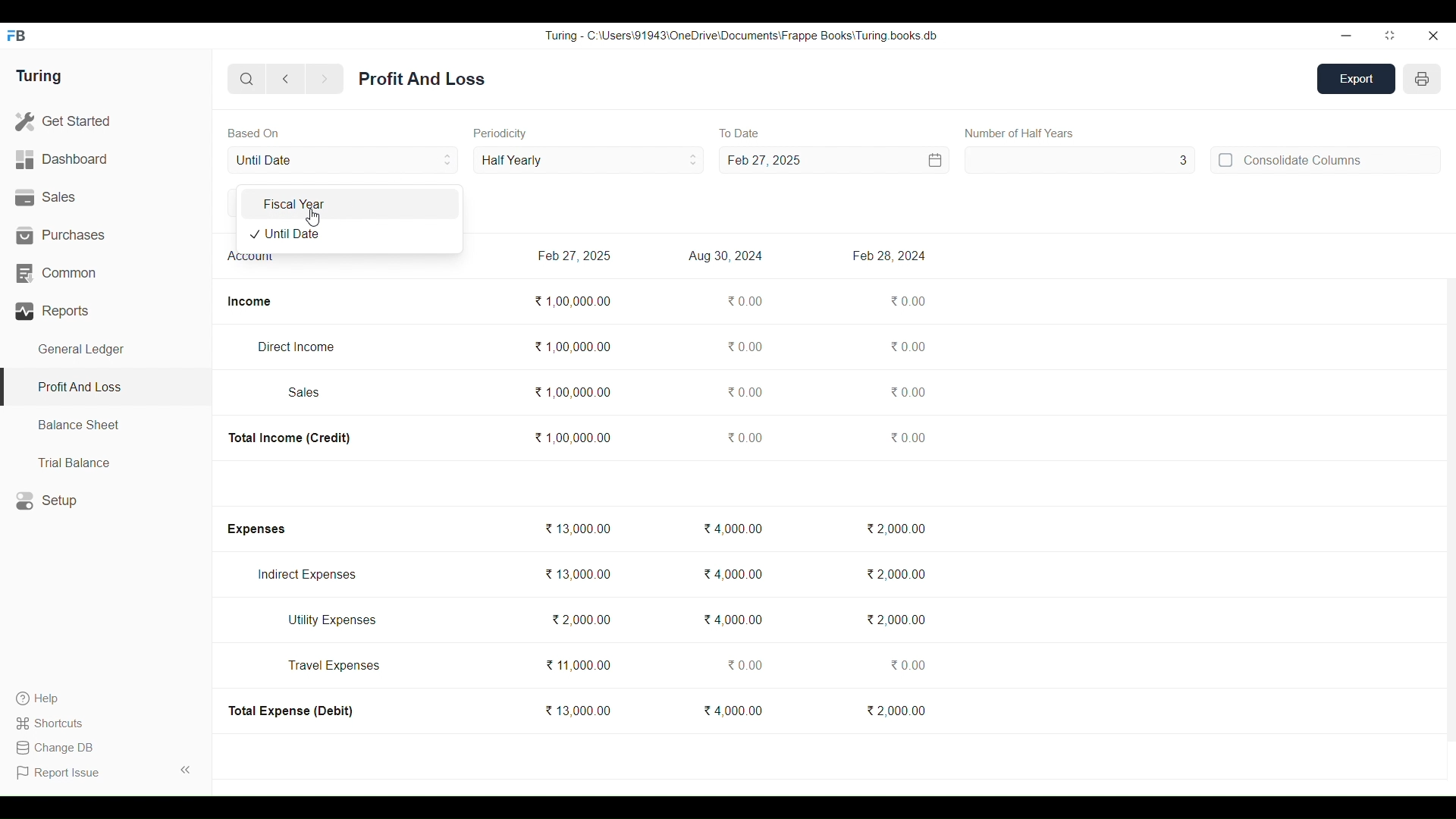 This screenshot has height=819, width=1456. What do you see at coordinates (295, 347) in the screenshot?
I see `Direct Income` at bounding box center [295, 347].